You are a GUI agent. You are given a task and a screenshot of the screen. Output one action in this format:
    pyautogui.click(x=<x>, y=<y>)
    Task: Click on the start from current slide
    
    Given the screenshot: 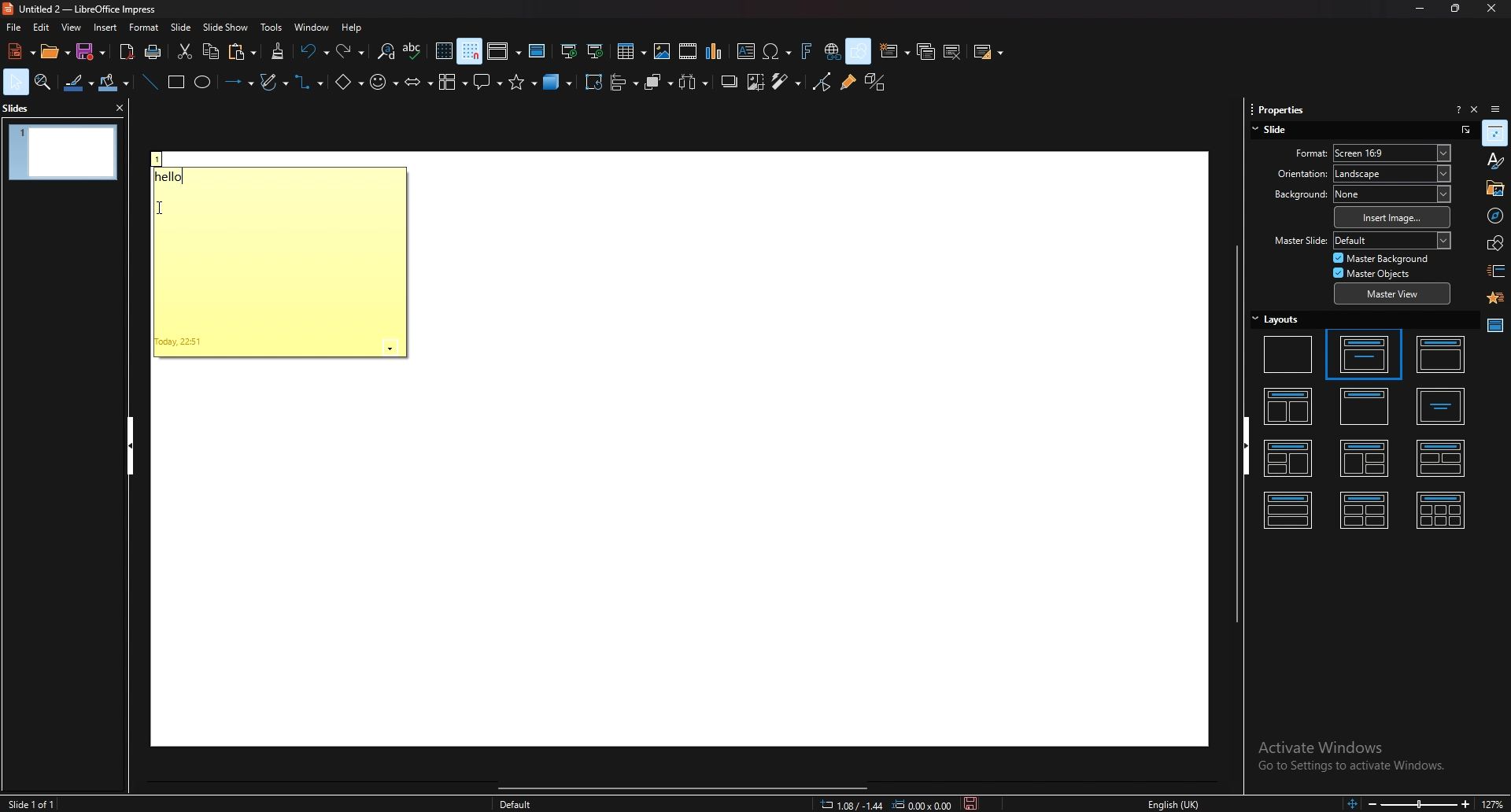 What is the action you would take?
    pyautogui.click(x=595, y=52)
    